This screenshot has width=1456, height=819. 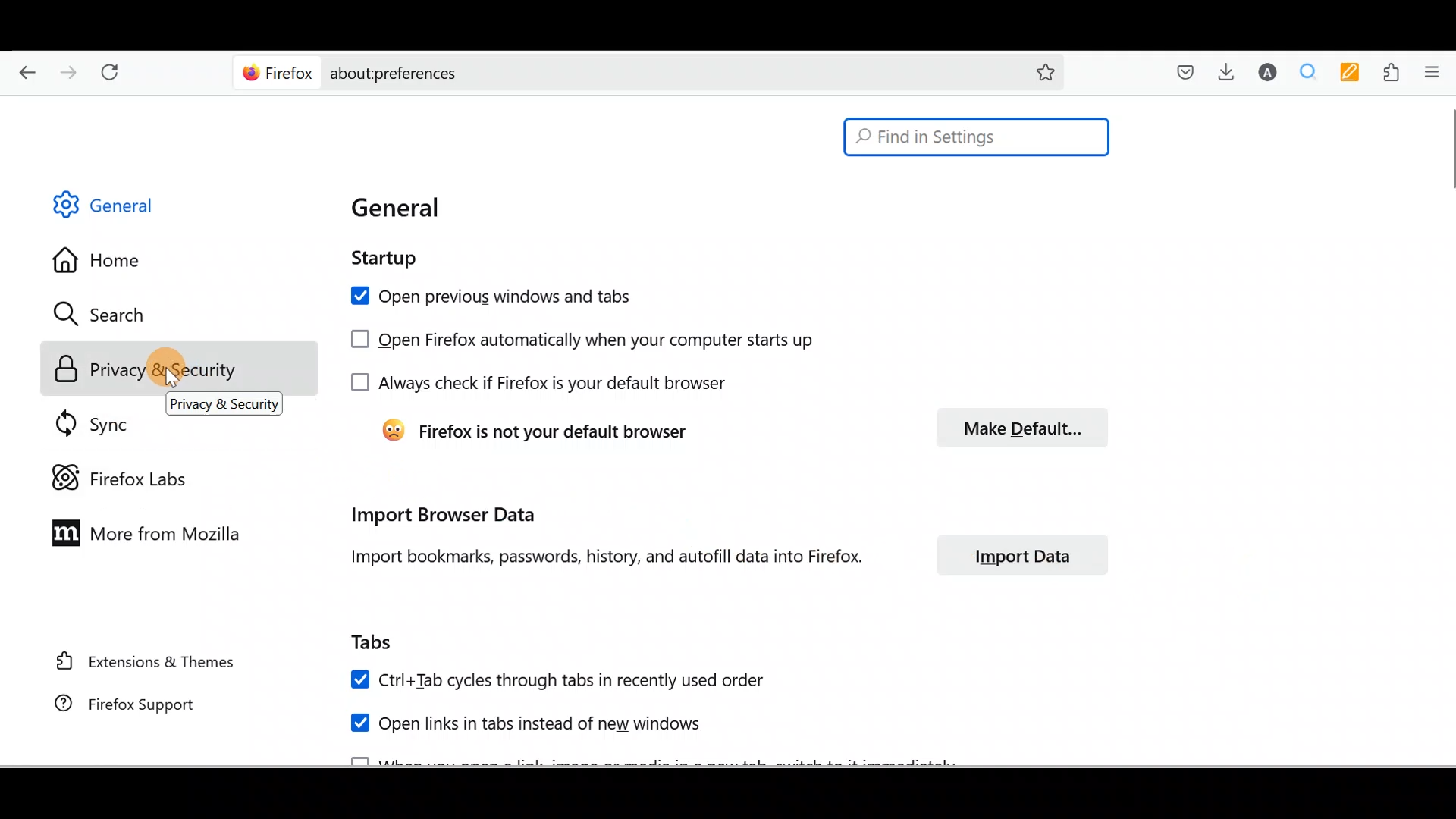 I want to click on cursor, so click(x=171, y=380).